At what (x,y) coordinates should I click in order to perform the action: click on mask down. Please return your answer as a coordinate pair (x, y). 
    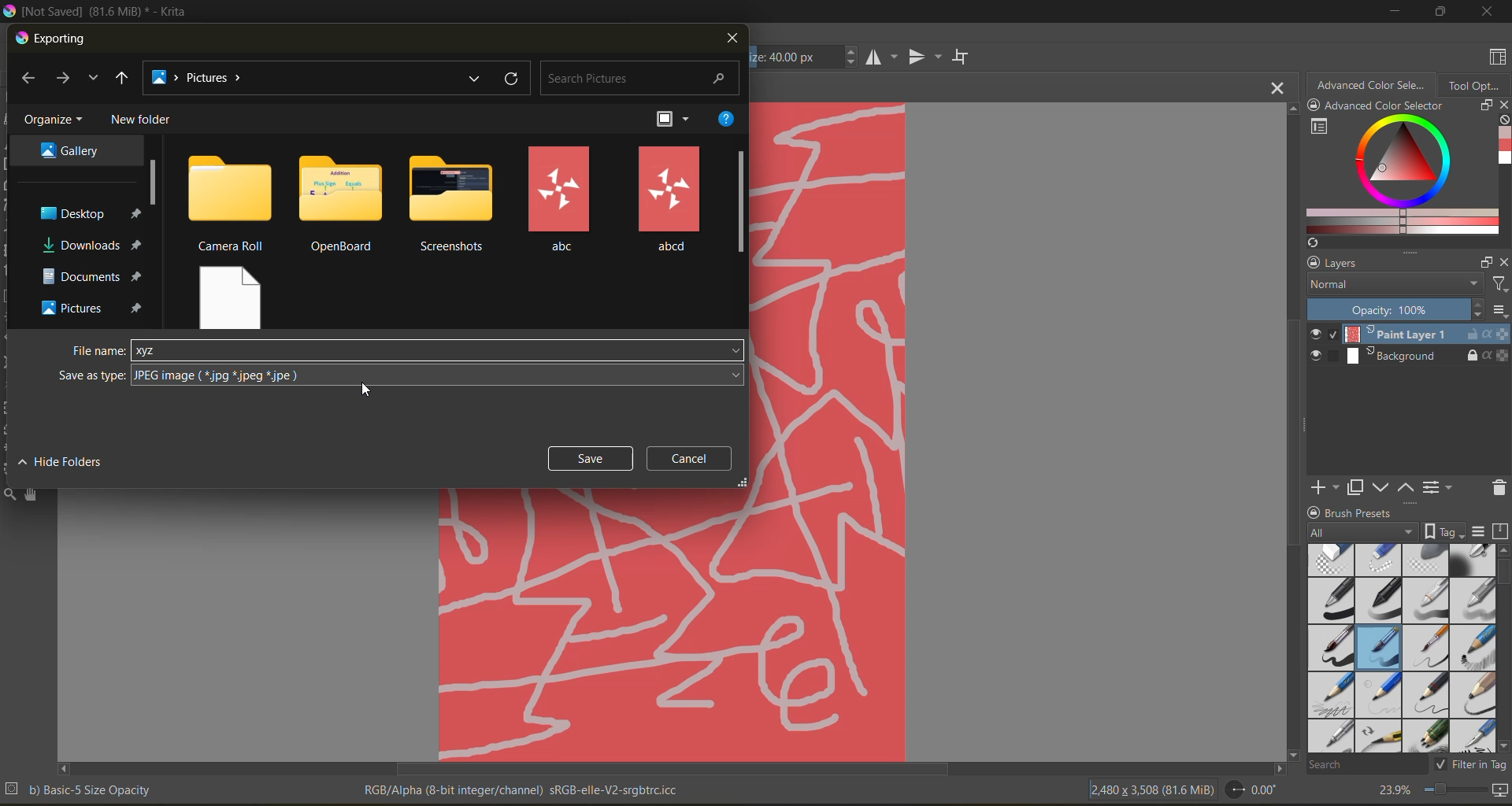
    Looking at the image, I should click on (1380, 488).